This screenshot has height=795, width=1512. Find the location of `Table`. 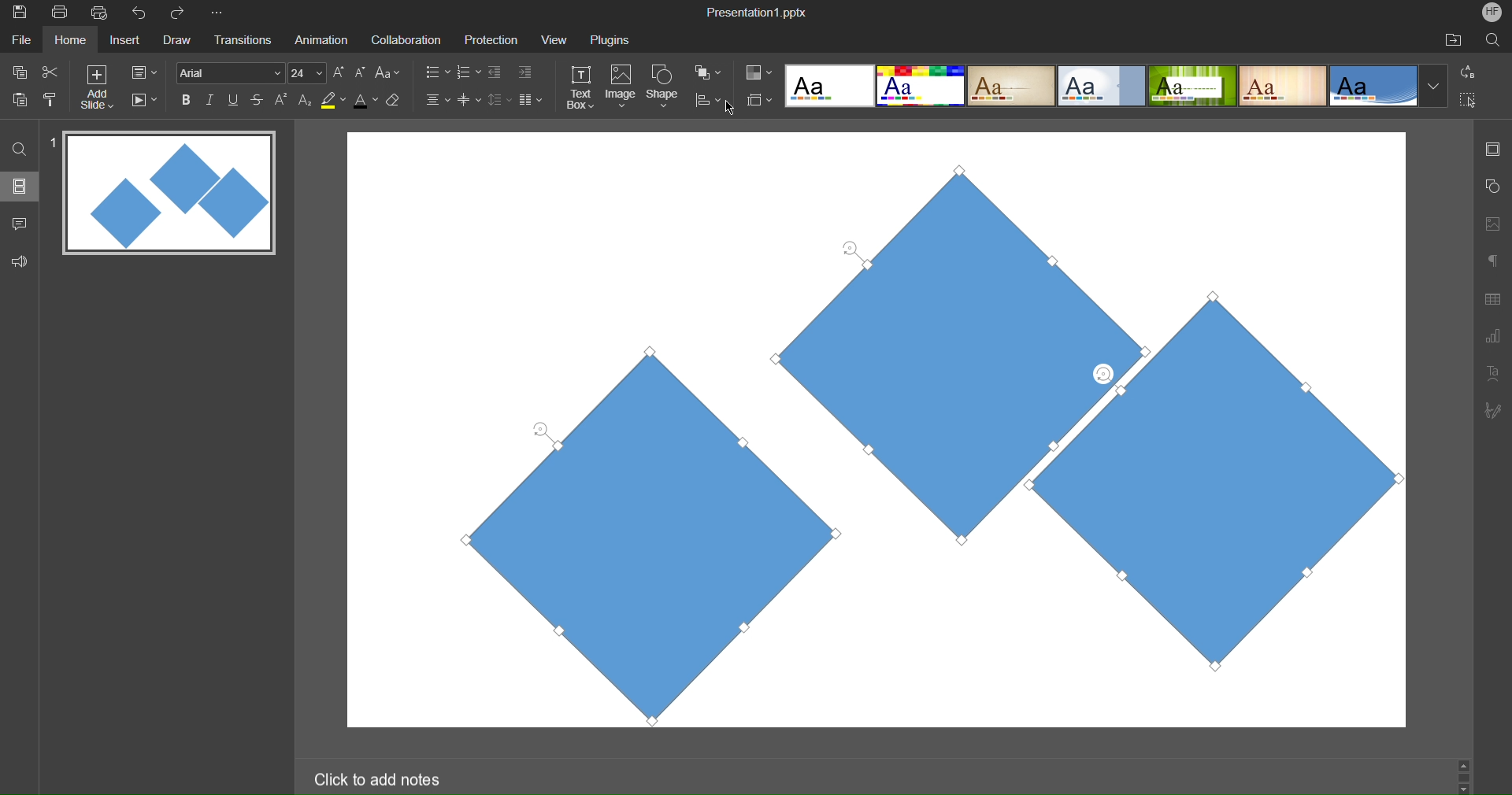

Table is located at coordinates (1493, 298).